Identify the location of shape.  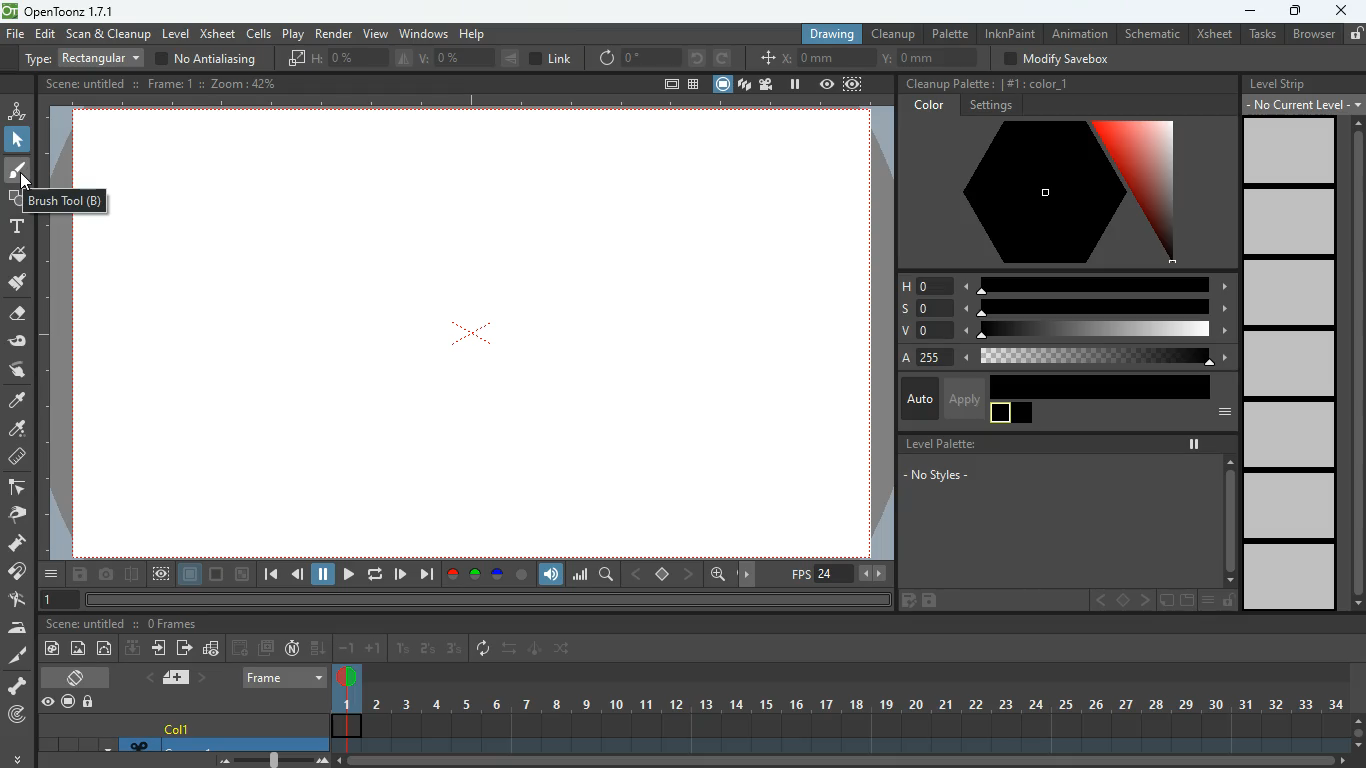
(13, 197).